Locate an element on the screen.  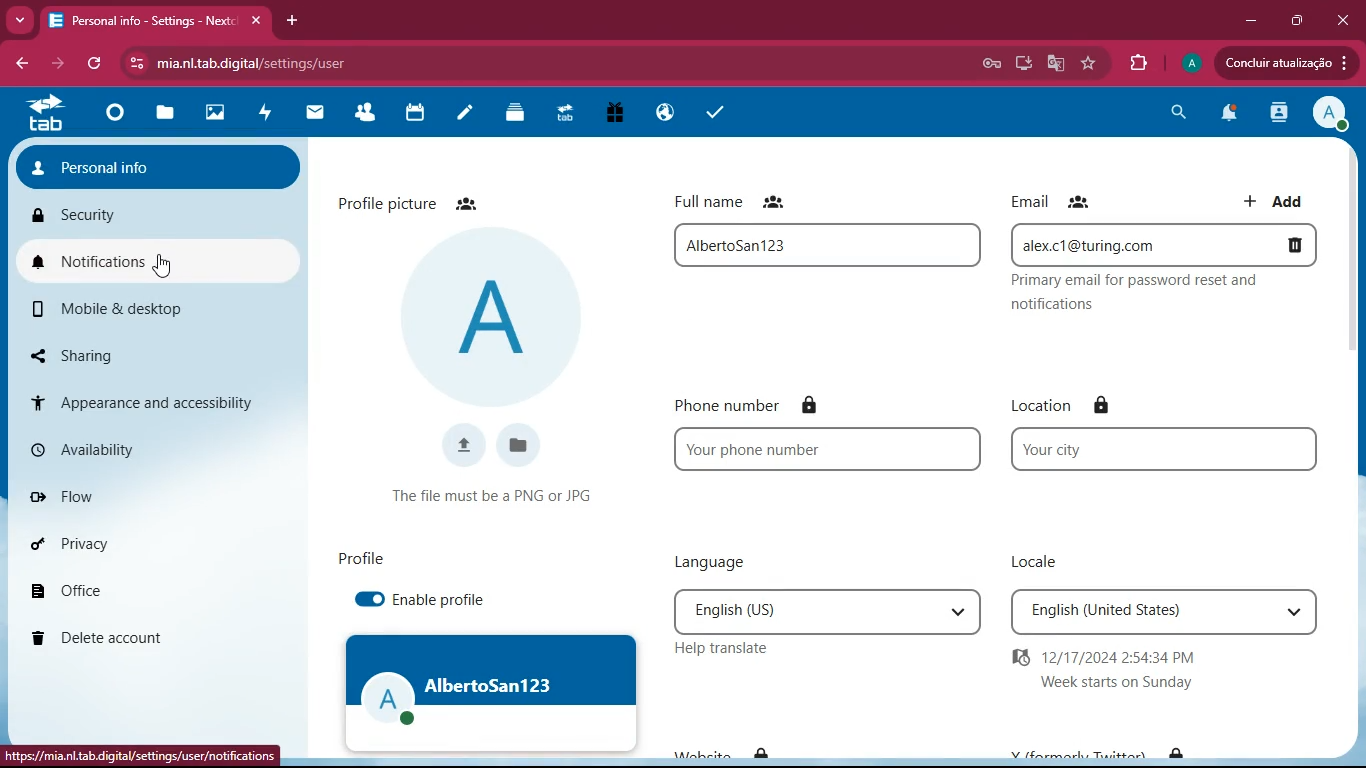
privacy is located at coordinates (97, 540).